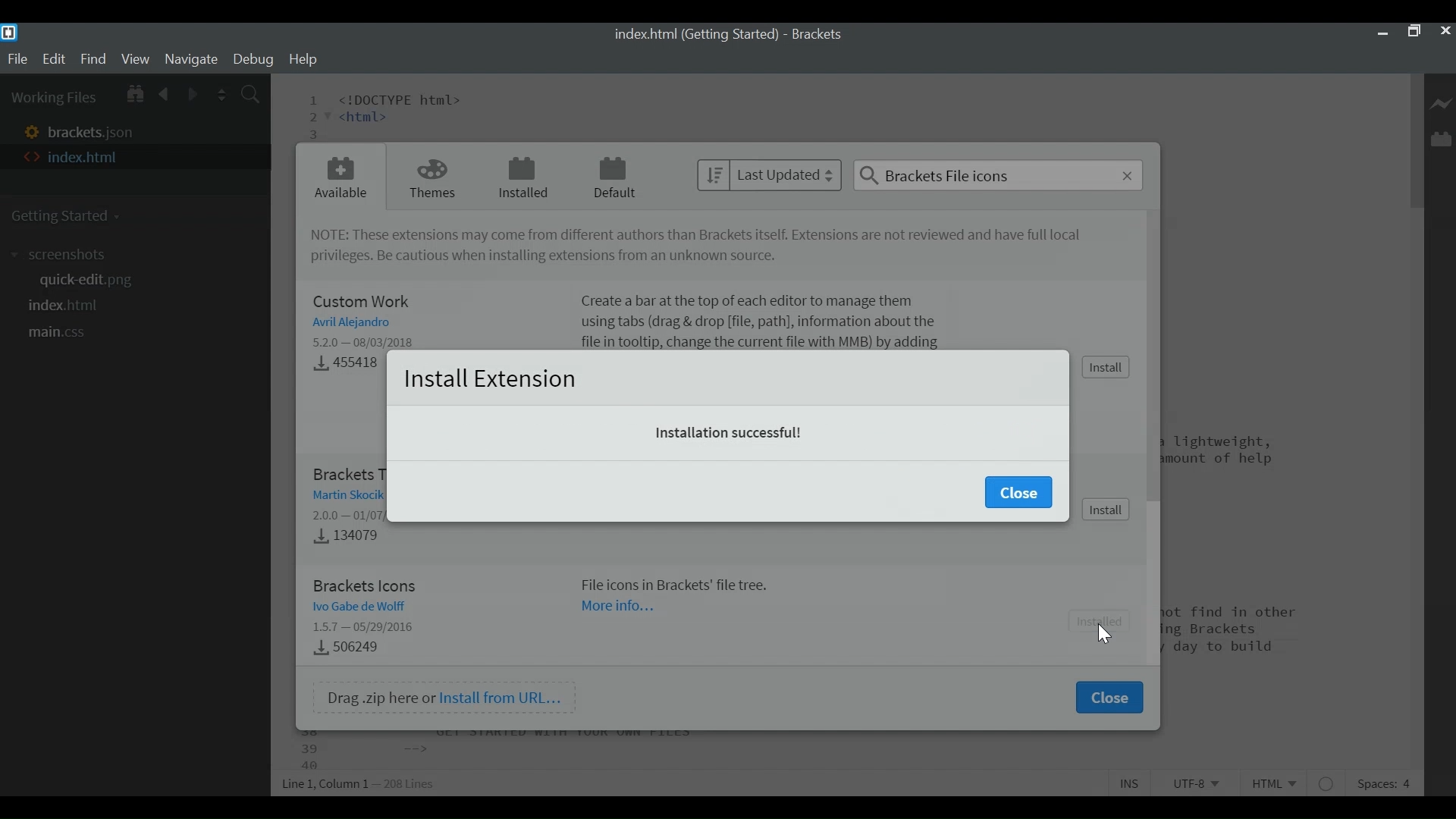  I want to click on No lintel available for html, so click(1328, 783).